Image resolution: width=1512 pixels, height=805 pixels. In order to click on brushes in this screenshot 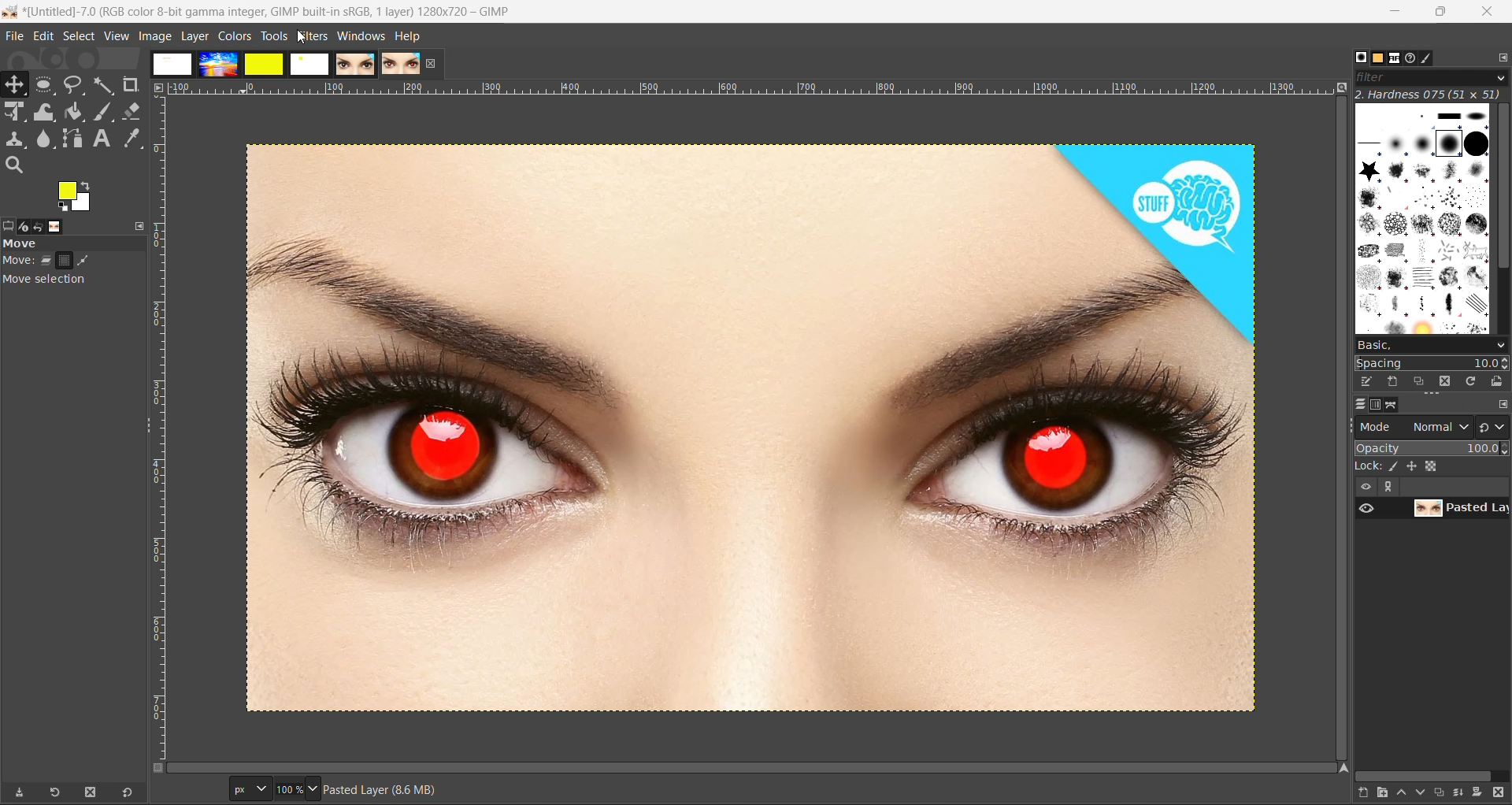, I will do `click(1421, 219)`.